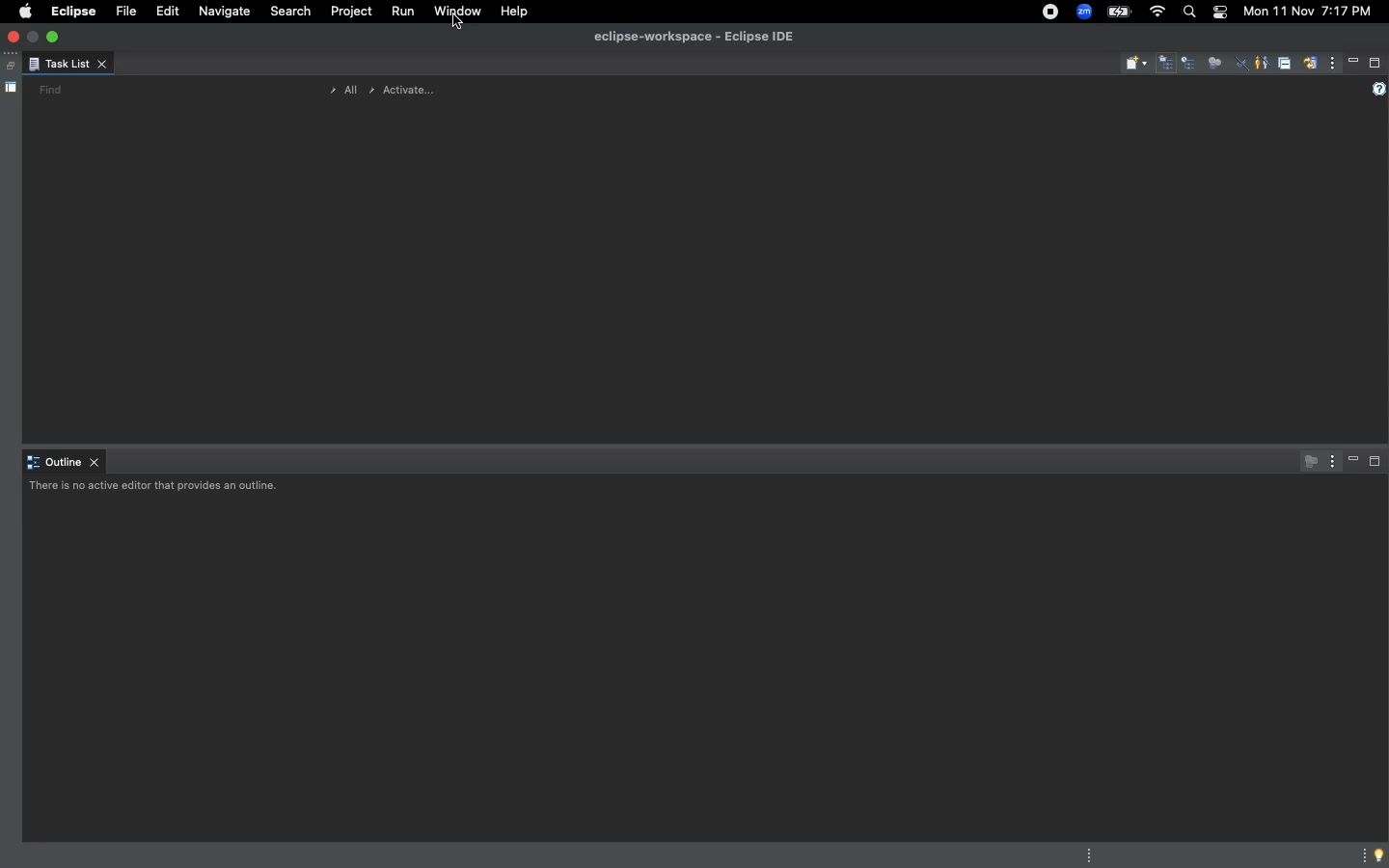  Describe the element at coordinates (1241, 66) in the screenshot. I see `Hide completed tasks` at that location.